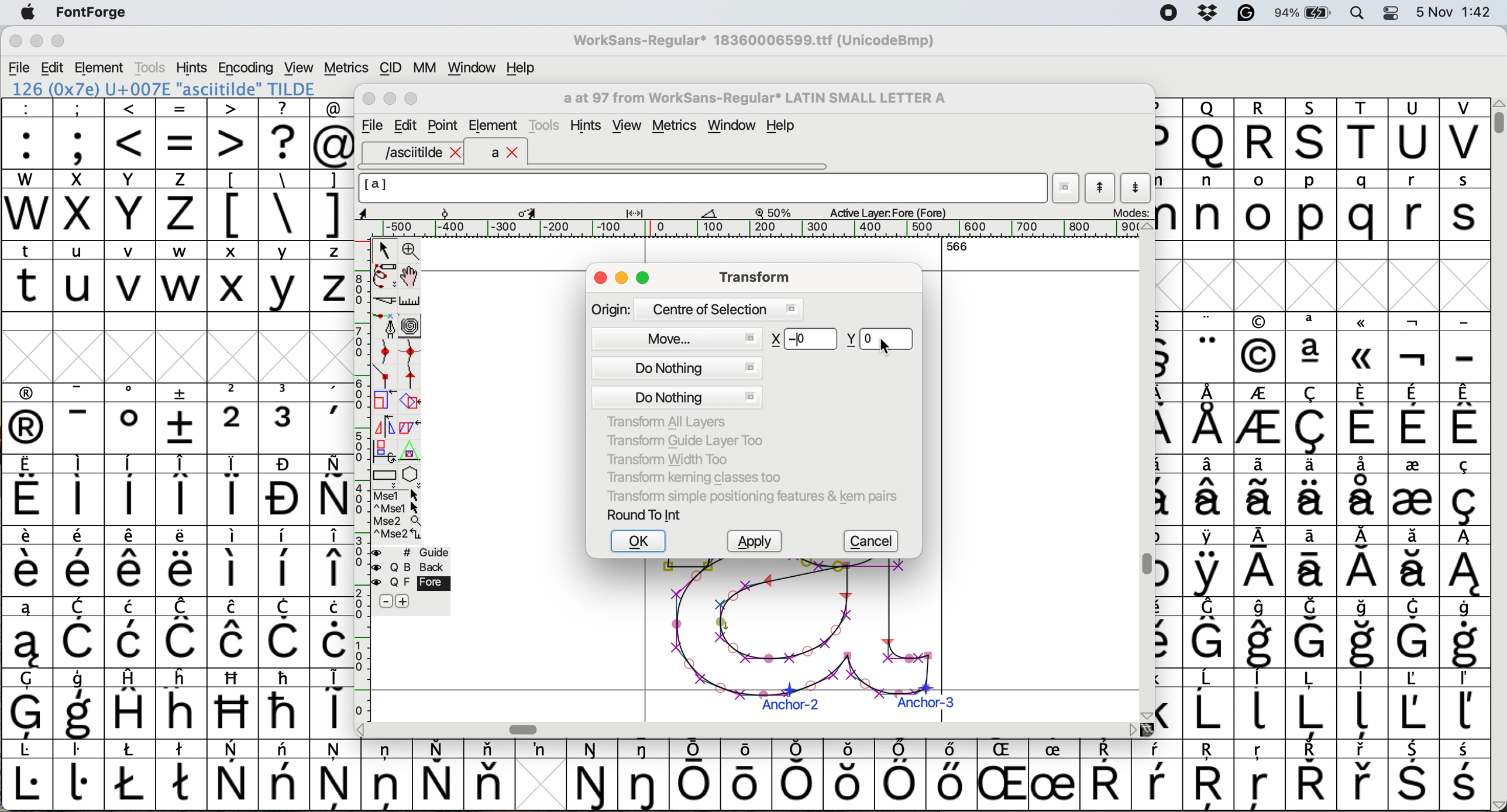 The height and width of the screenshot is (812, 1507). I want to click on transform simple positioning features and kern pairs, so click(749, 498).